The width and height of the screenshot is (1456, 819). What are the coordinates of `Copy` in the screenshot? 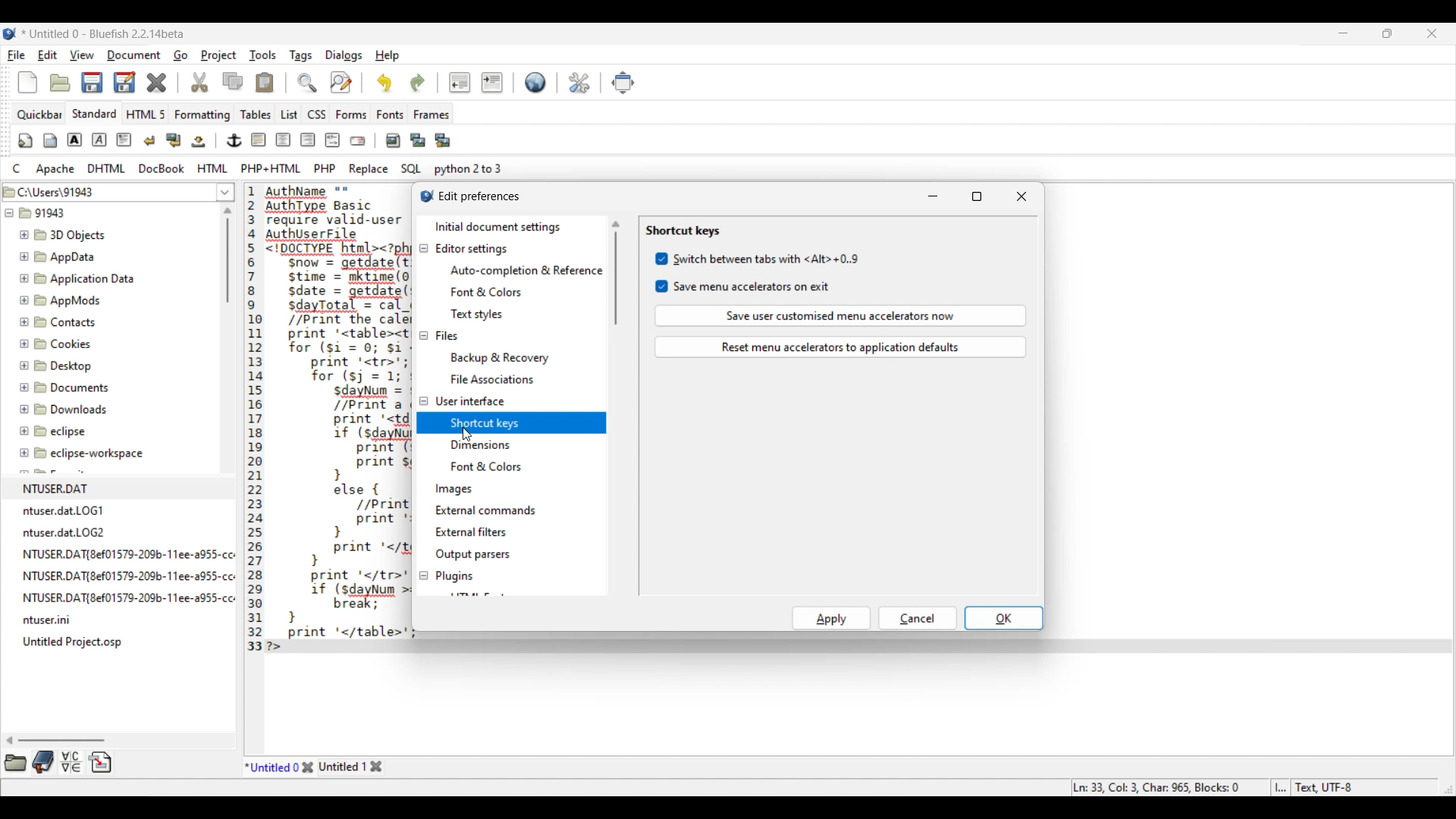 It's located at (232, 81).